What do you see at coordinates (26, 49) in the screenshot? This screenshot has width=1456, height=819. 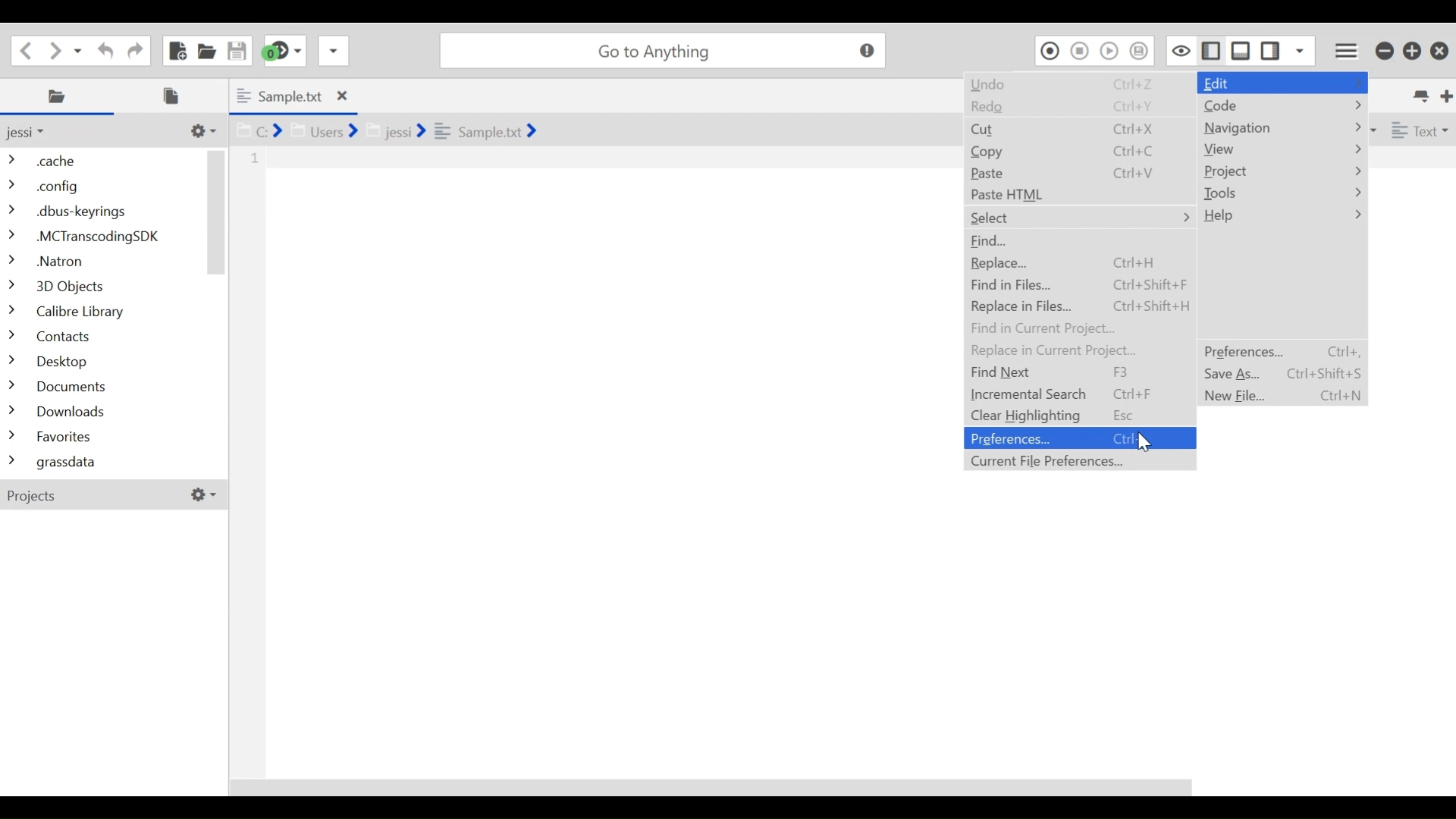 I see `Go back one location` at bounding box center [26, 49].